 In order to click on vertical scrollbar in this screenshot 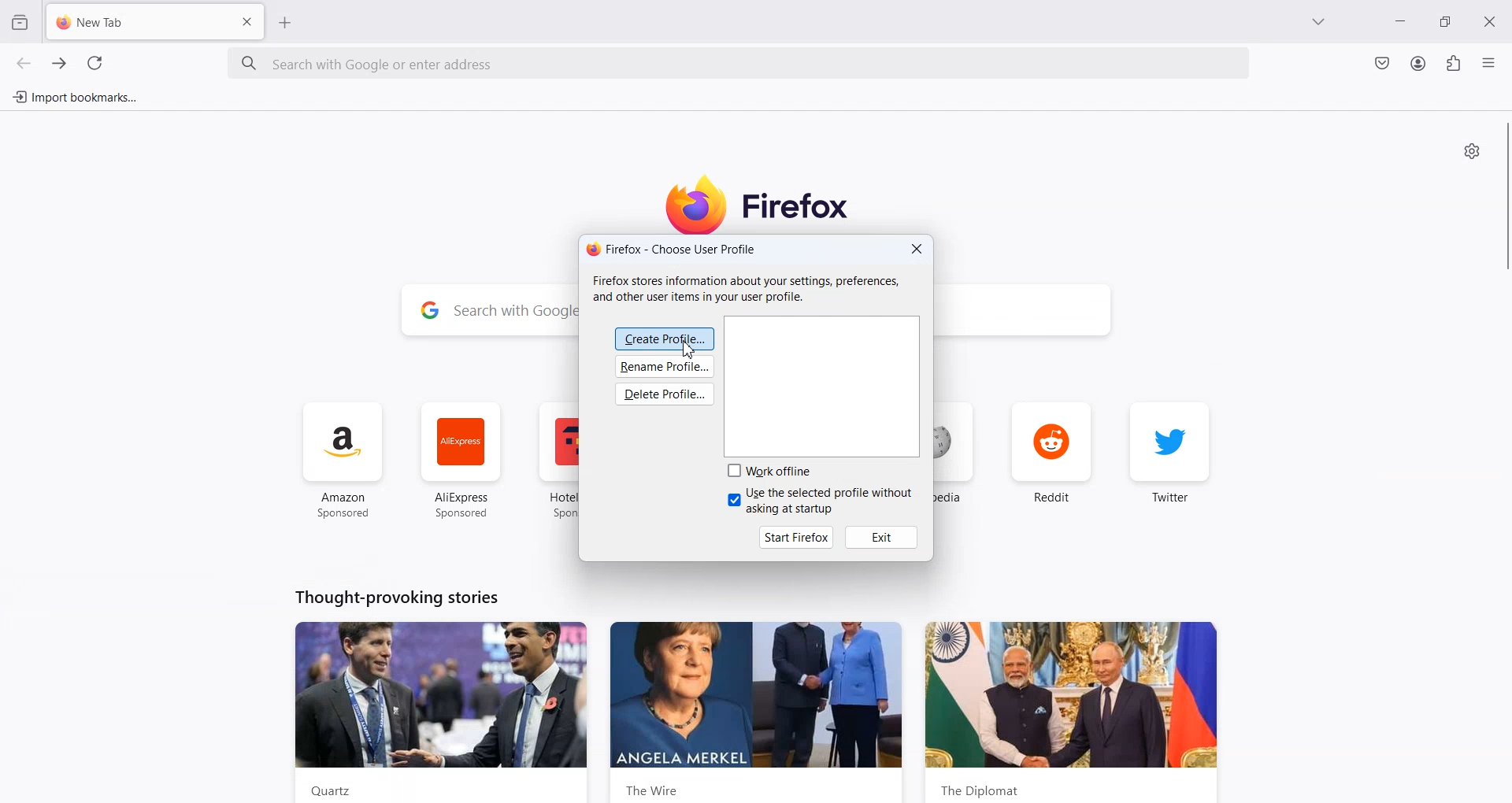, I will do `click(1503, 197)`.